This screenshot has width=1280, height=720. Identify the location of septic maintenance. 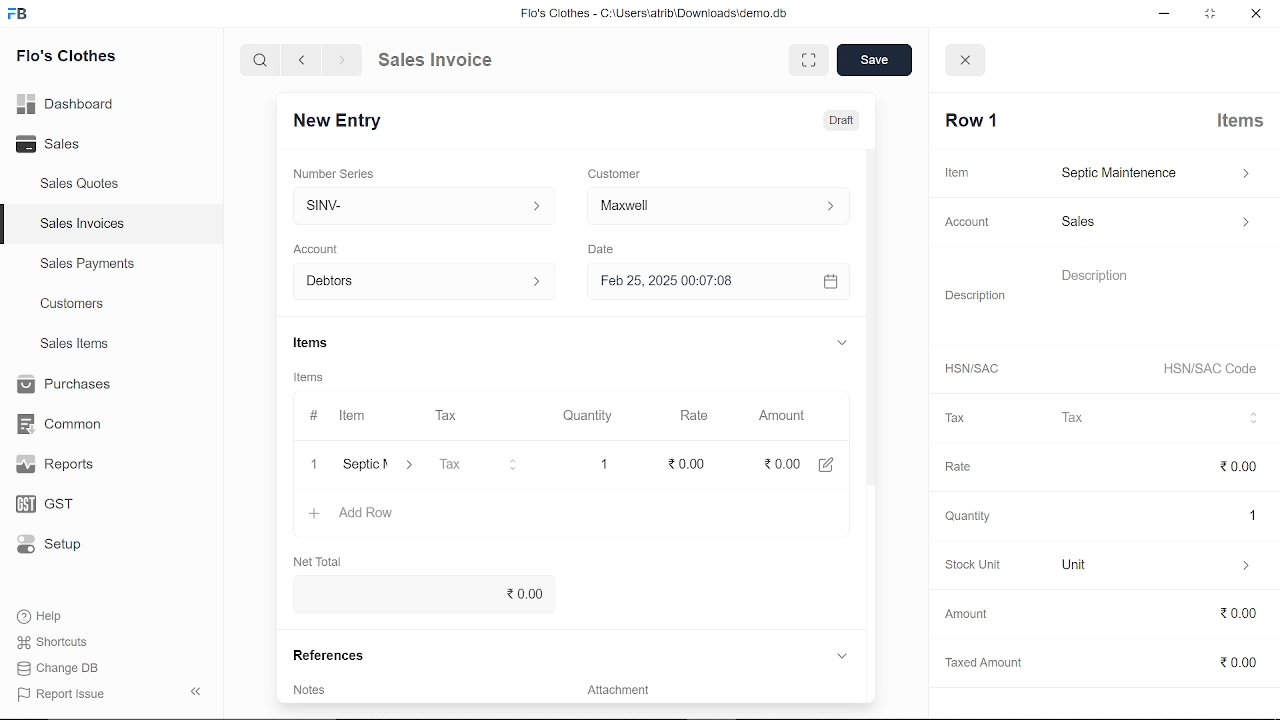
(1156, 173).